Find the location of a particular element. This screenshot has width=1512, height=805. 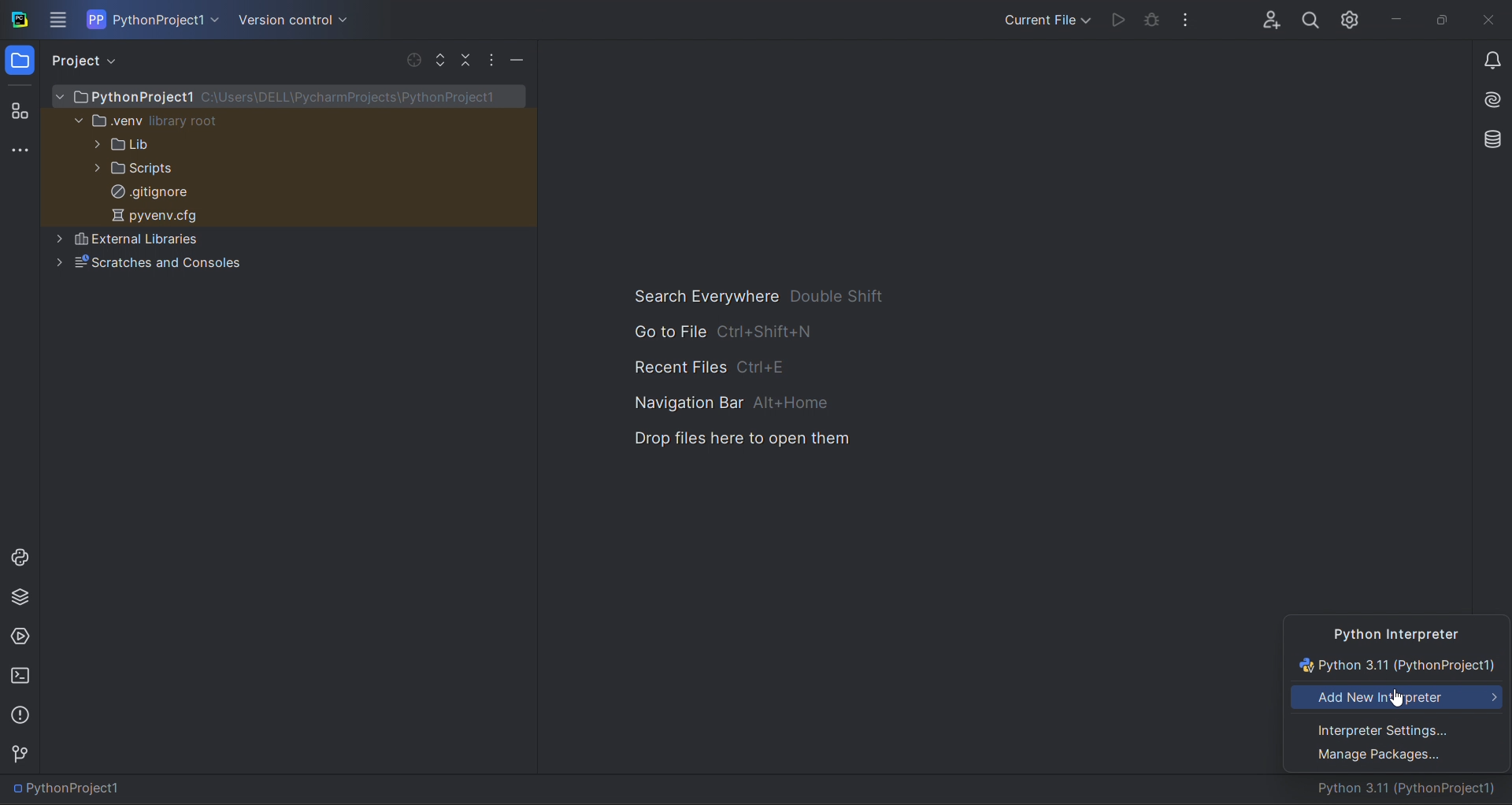

collab is located at coordinates (1265, 16).